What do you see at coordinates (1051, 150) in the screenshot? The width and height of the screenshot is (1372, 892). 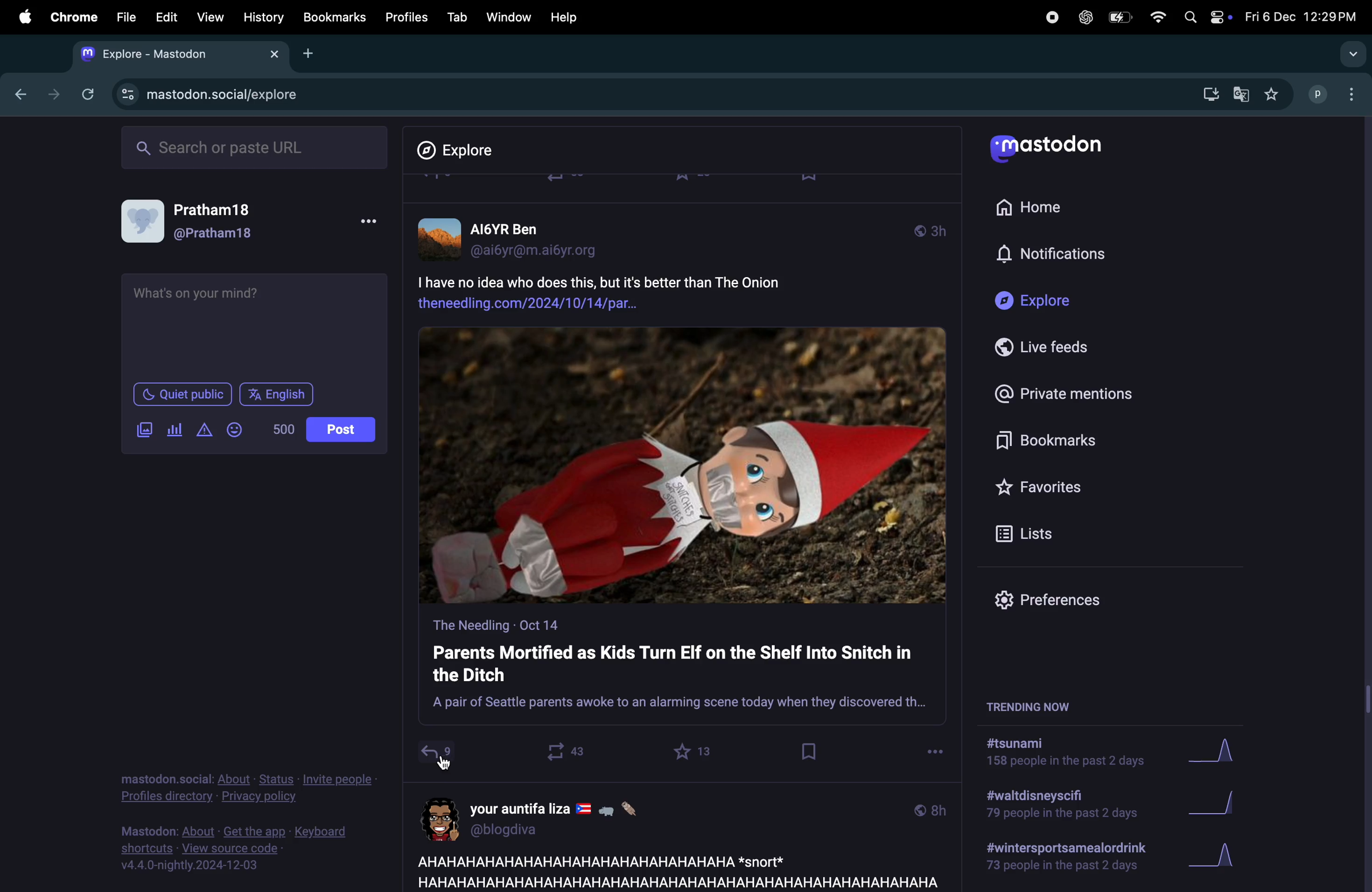 I see `mastodon` at bounding box center [1051, 150].